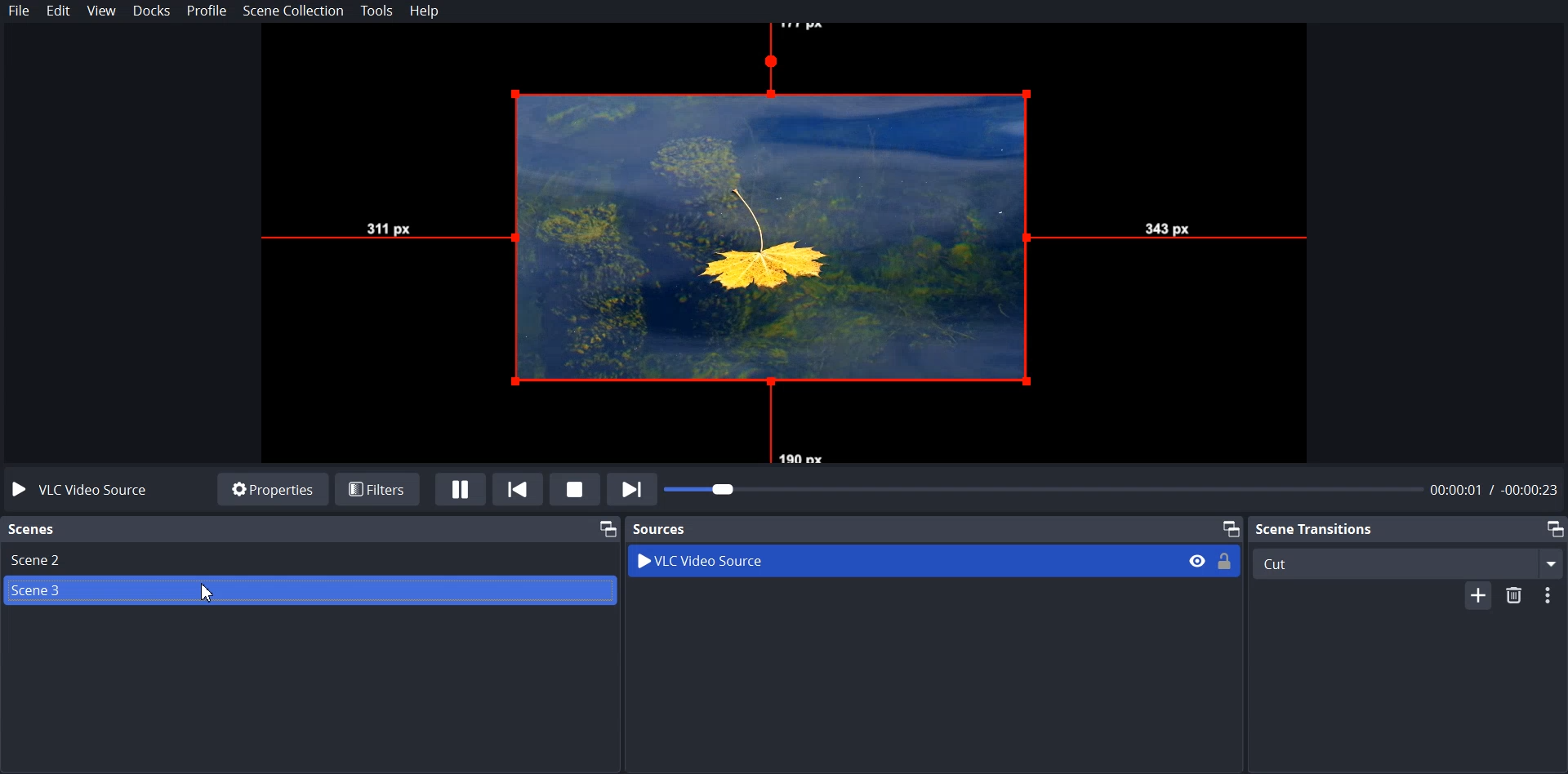 The width and height of the screenshot is (1568, 774). I want to click on options, so click(1553, 594).